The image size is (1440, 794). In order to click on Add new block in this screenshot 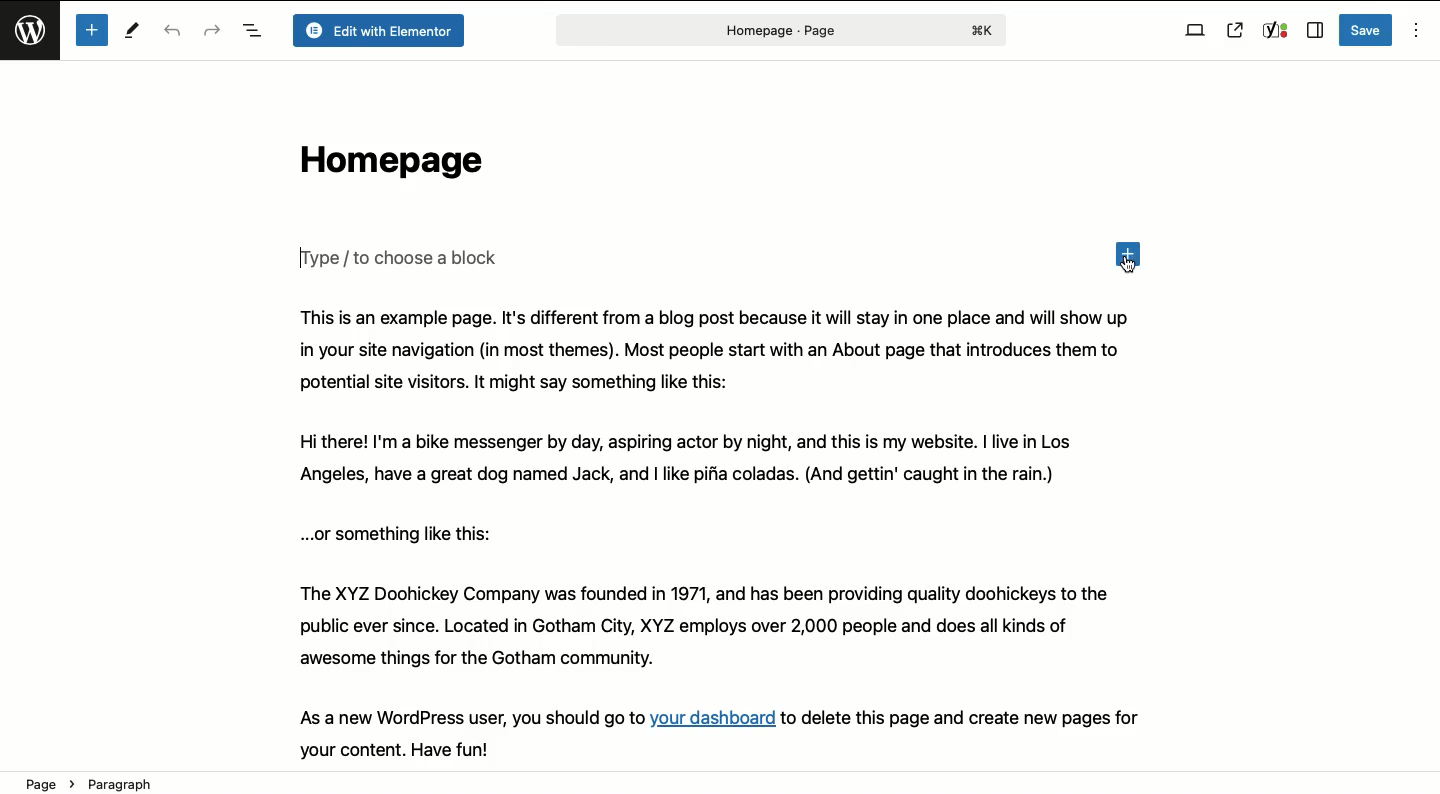, I will do `click(1131, 251)`.